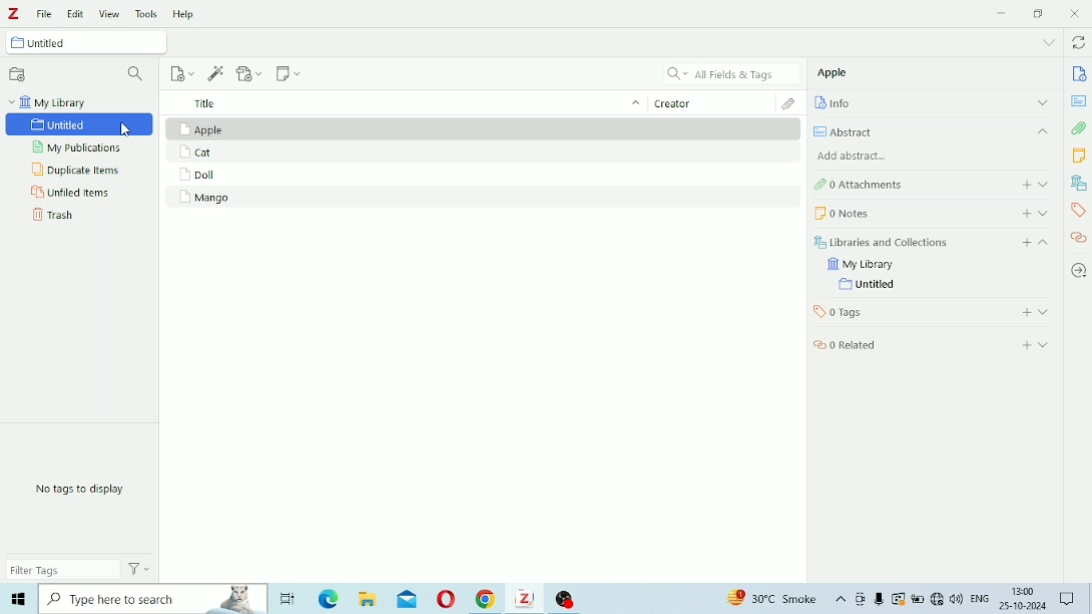 Image resolution: width=1092 pixels, height=614 pixels. What do you see at coordinates (933, 131) in the screenshot?
I see `Abstract` at bounding box center [933, 131].